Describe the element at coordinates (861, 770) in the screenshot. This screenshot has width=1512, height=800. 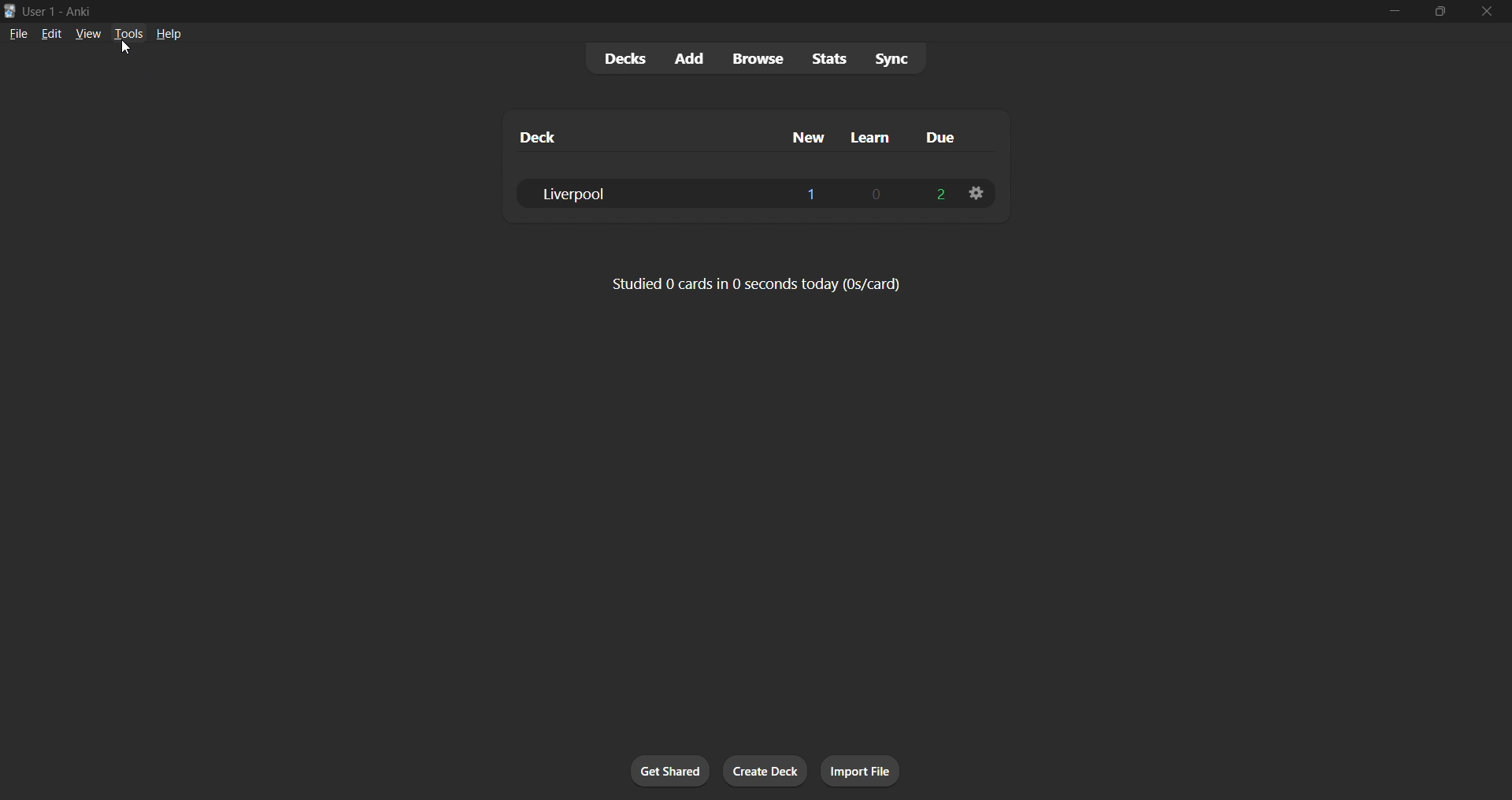
I see `import file` at that location.